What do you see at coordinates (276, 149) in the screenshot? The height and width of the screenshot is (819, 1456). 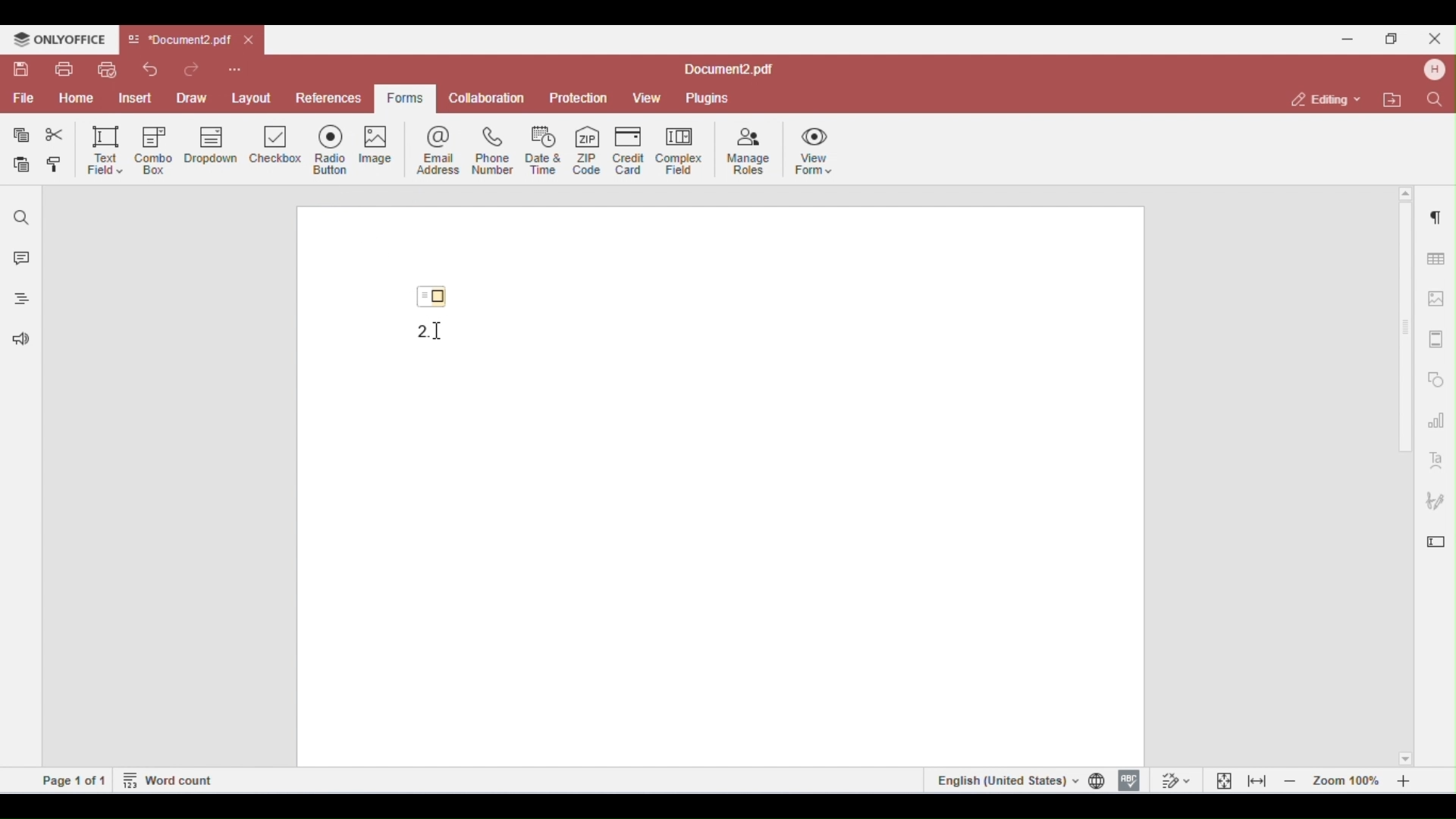 I see `checkbox` at bounding box center [276, 149].